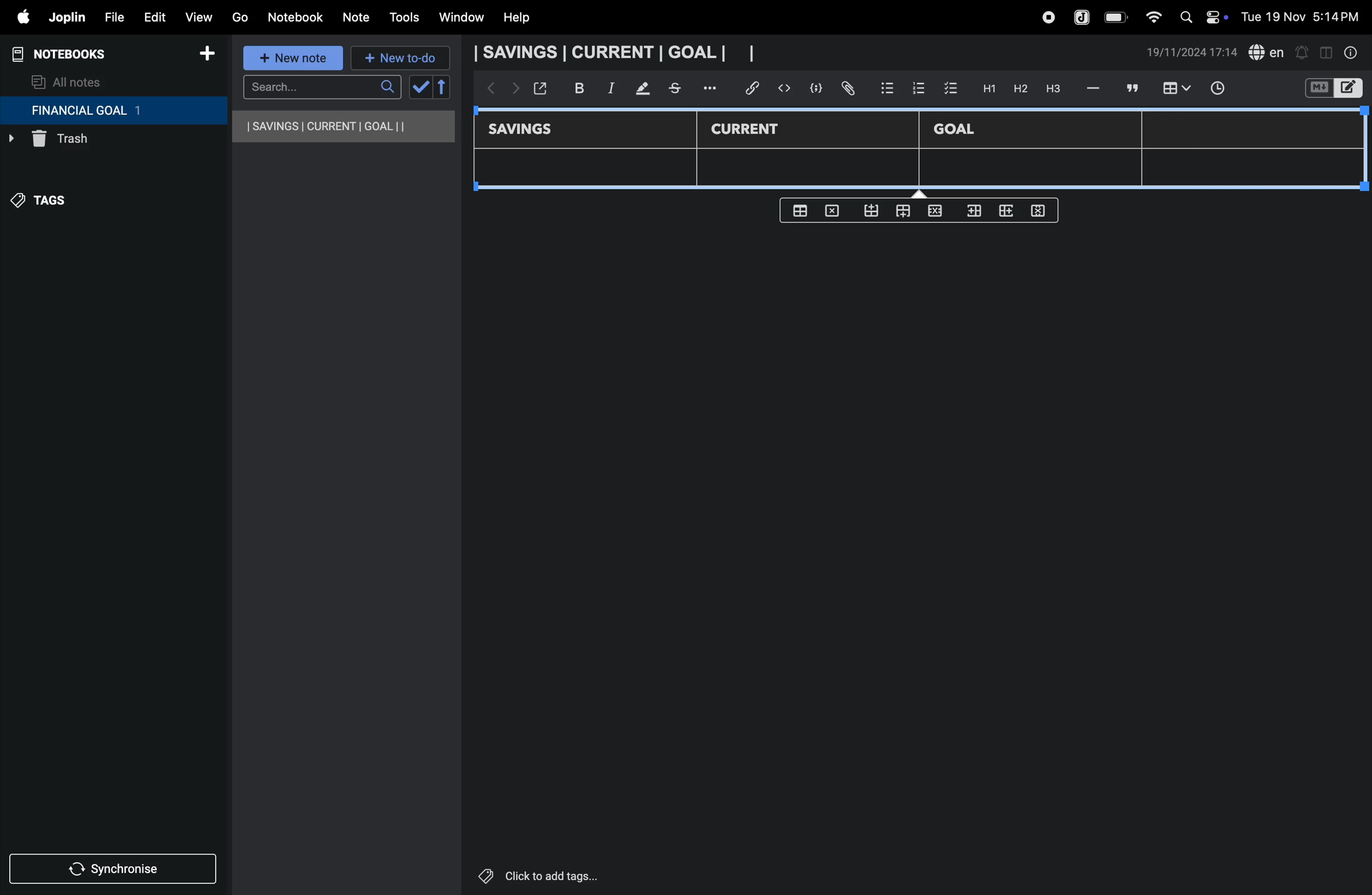 The image size is (1372, 895). What do you see at coordinates (67, 81) in the screenshot?
I see `all notes` at bounding box center [67, 81].